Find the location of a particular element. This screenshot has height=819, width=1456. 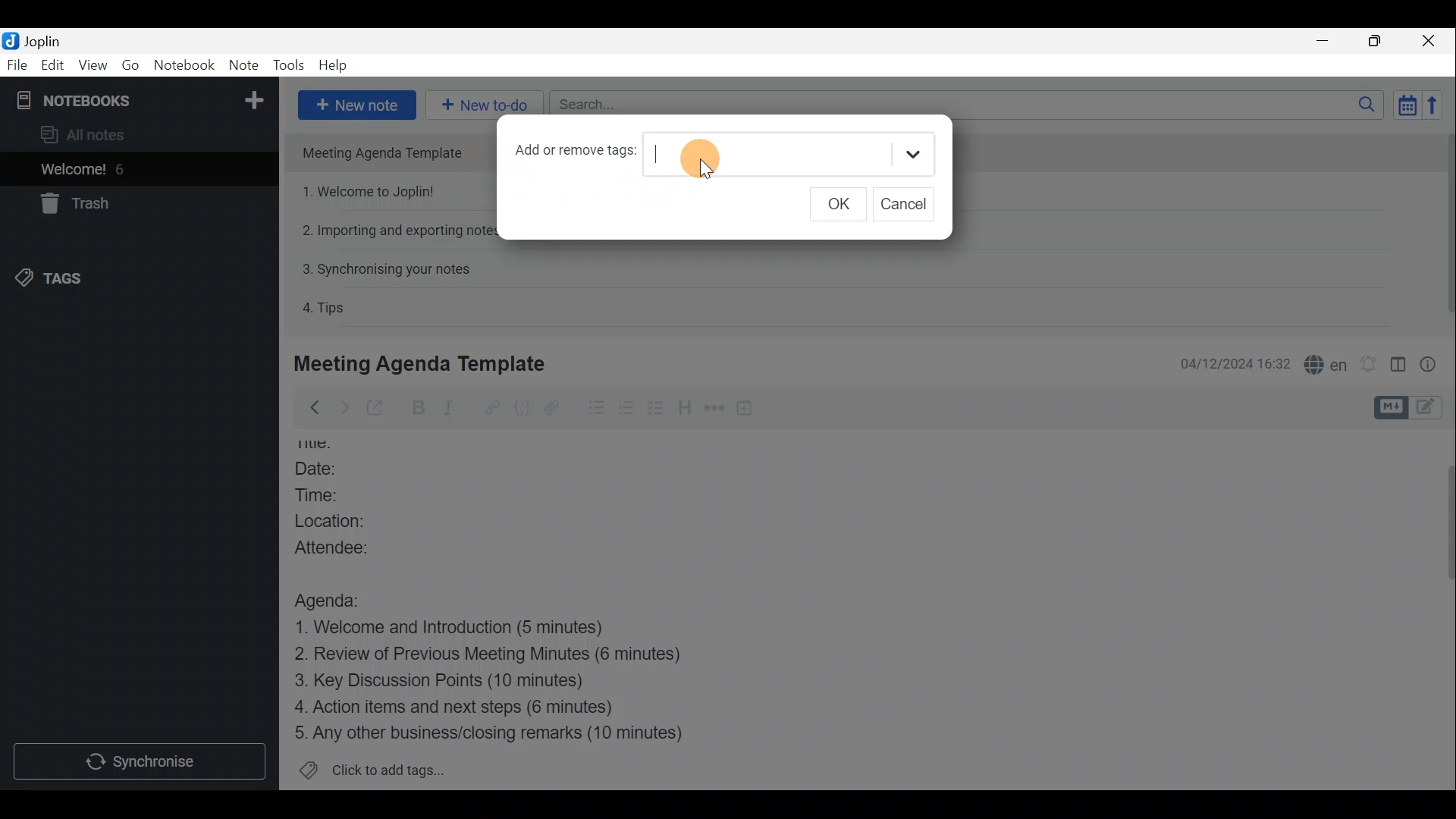

1. Welcome and Introduction (5 minutes) is located at coordinates (474, 629).